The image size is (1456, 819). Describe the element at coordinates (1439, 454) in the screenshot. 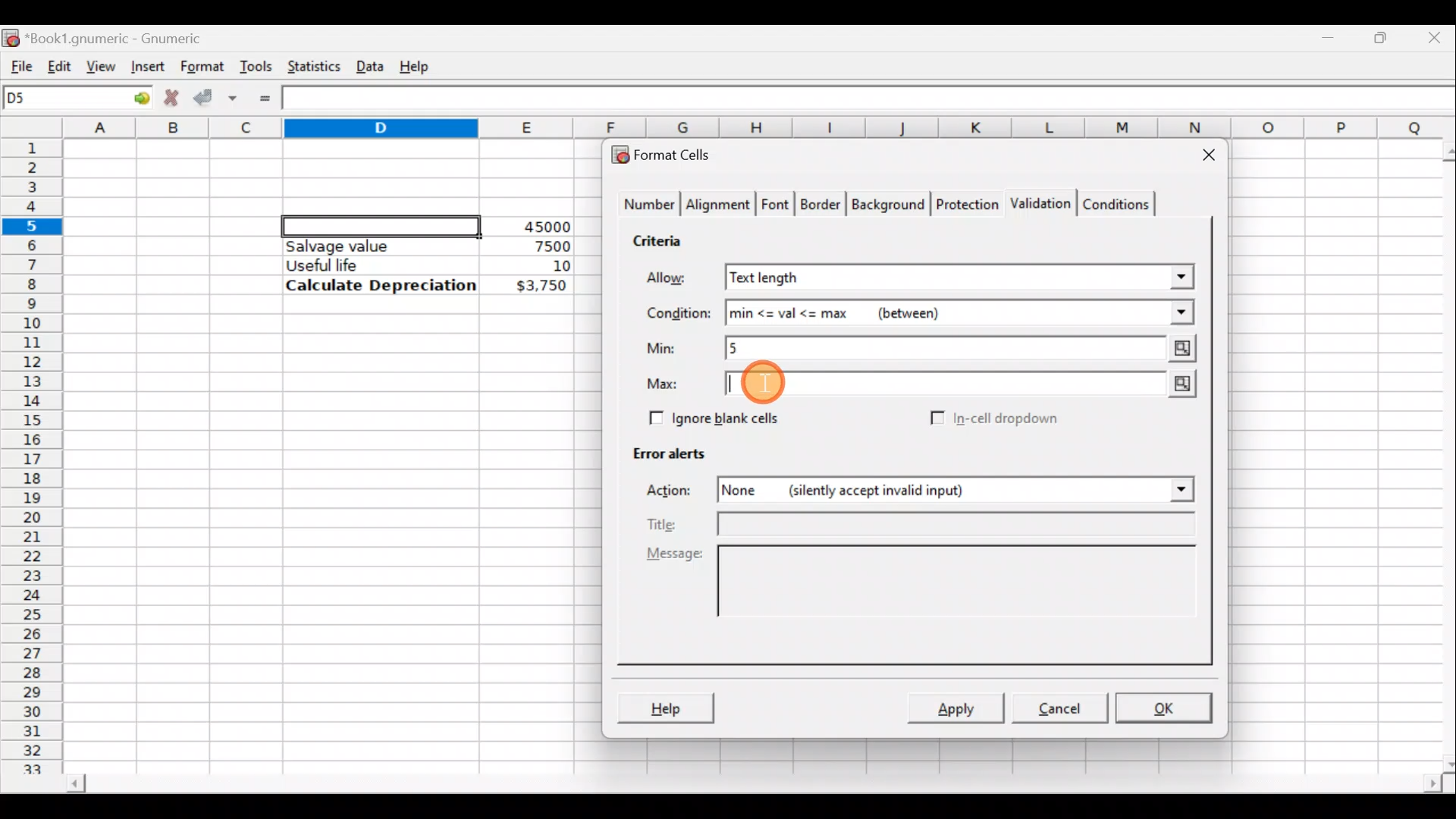

I see `Scroll bar` at that location.